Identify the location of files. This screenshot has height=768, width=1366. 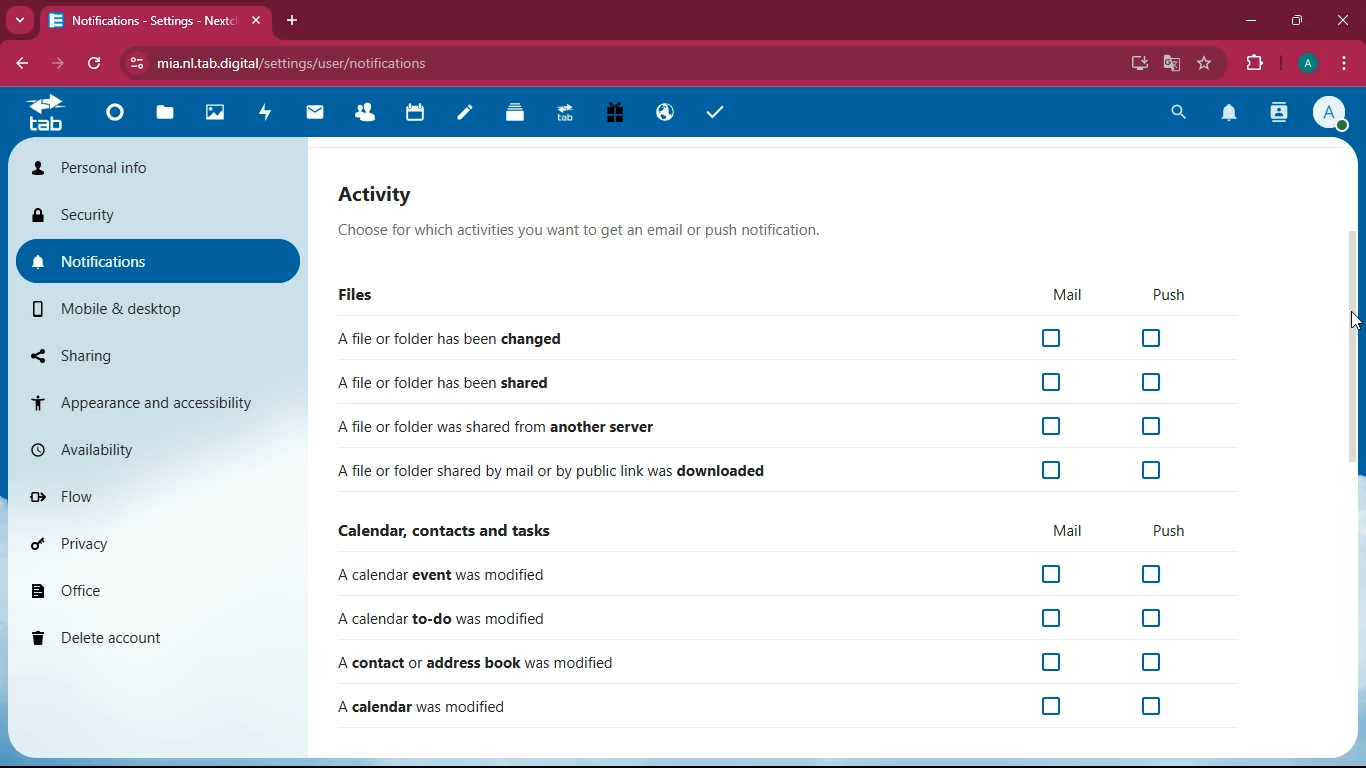
(167, 114).